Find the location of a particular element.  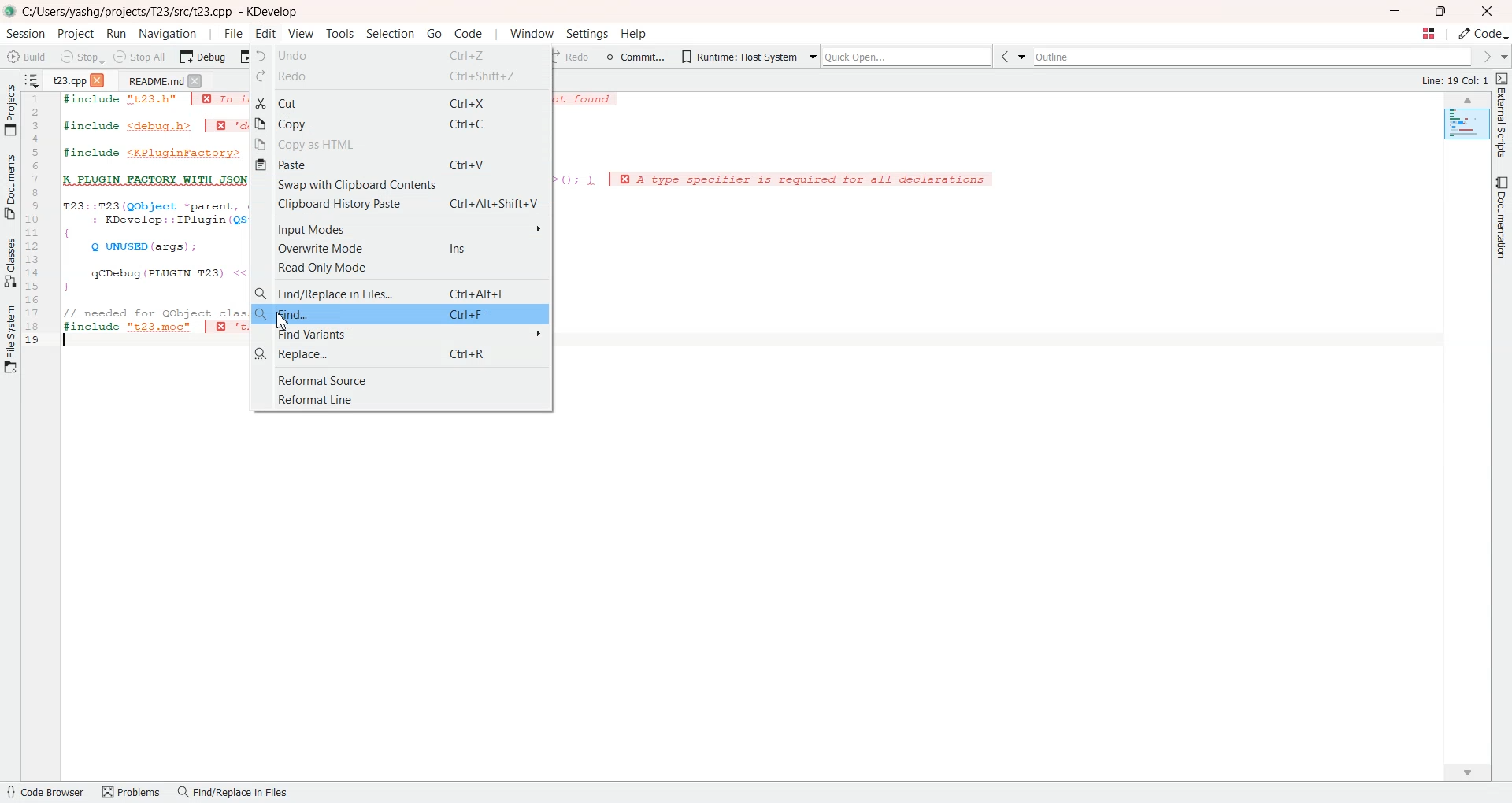

a type specifier is required for all declarations is located at coordinates (795, 181).